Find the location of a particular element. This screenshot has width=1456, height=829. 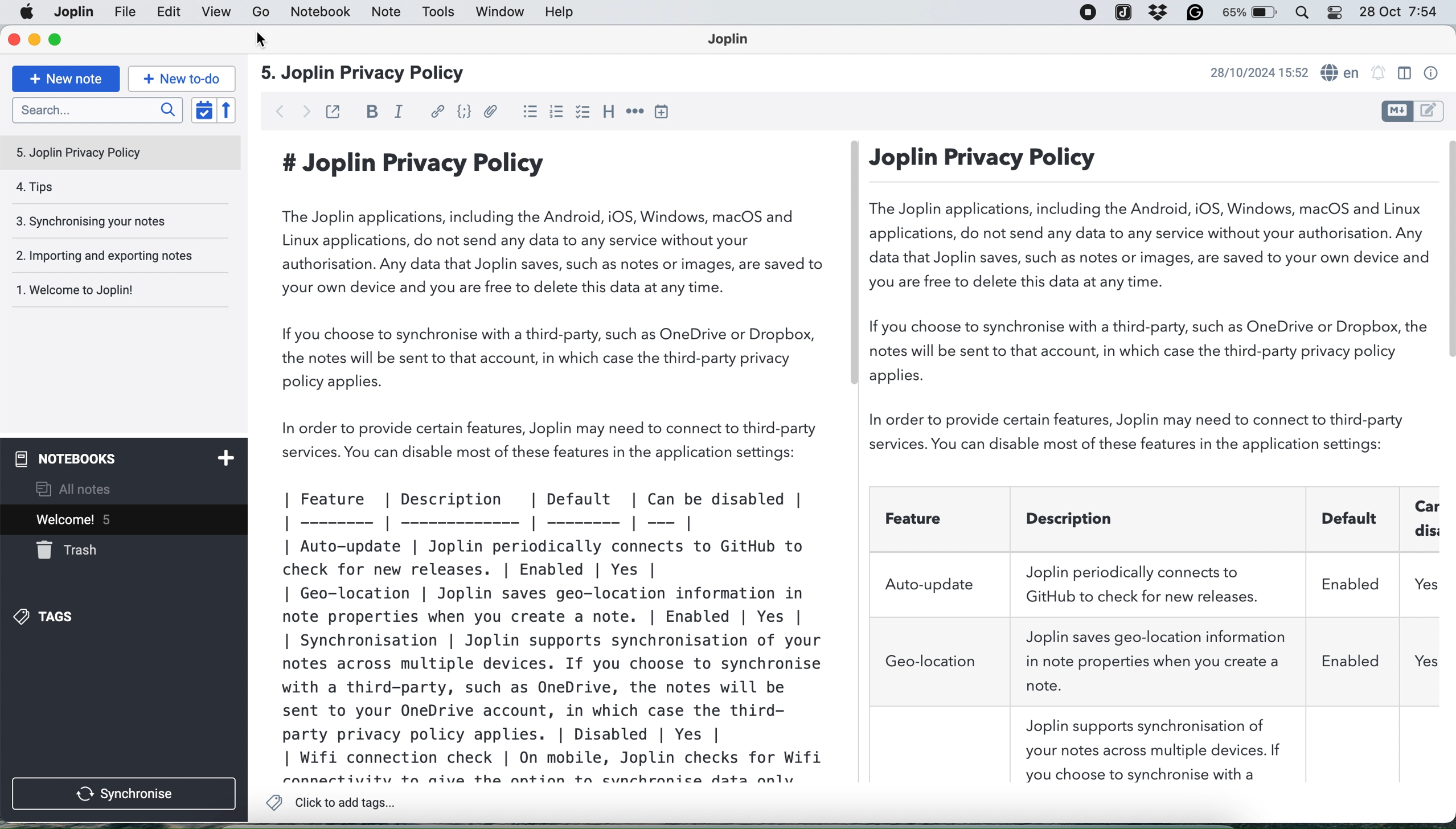

toggle sort order field is located at coordinates (203, 110).